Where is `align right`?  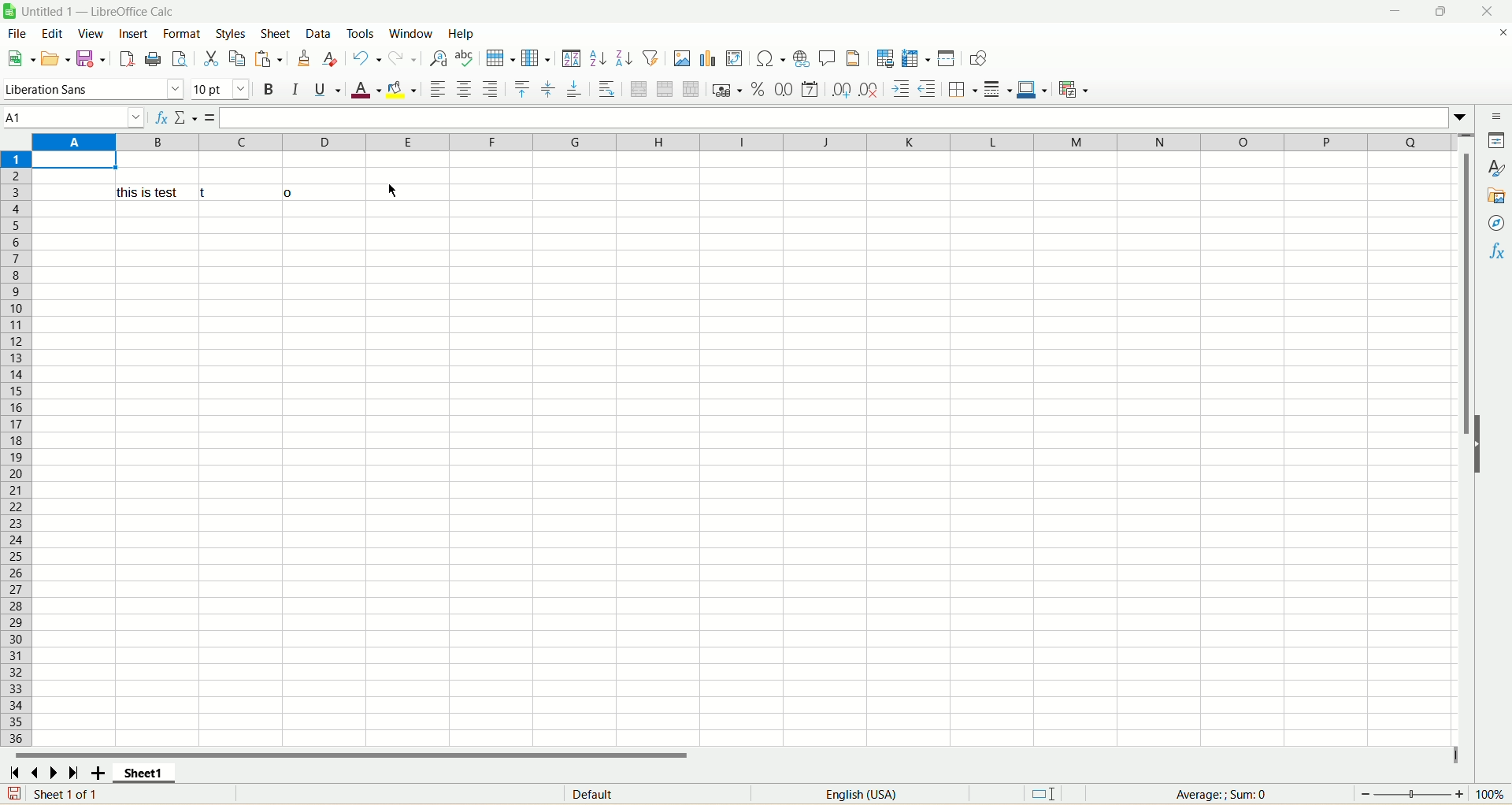
align right is located at coordinates (491, 88).